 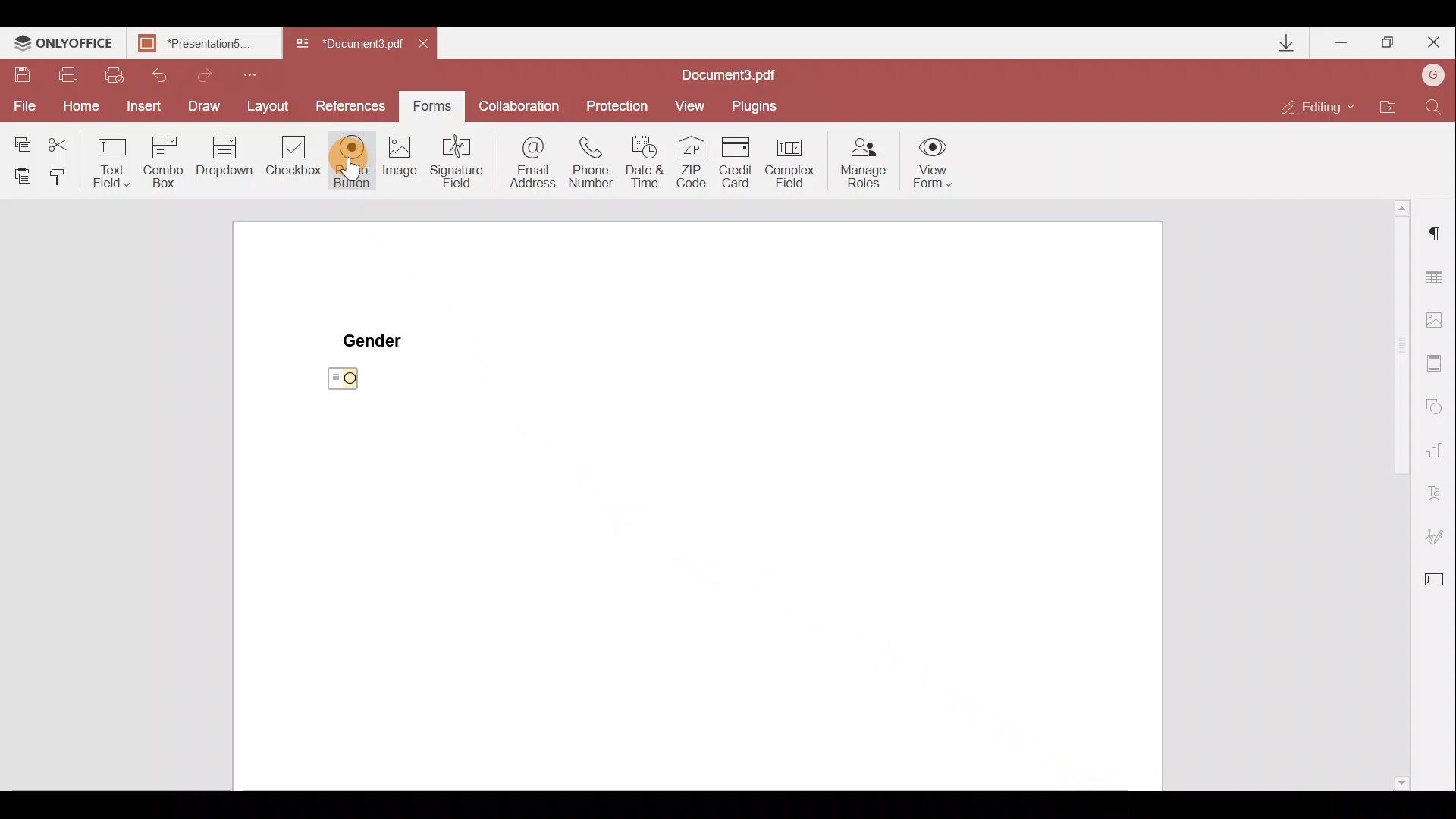 What do you see at coordinates (1436, 366) in the screenshot?
I see `Headers & footers settings` at bounding box center [1436, 366].